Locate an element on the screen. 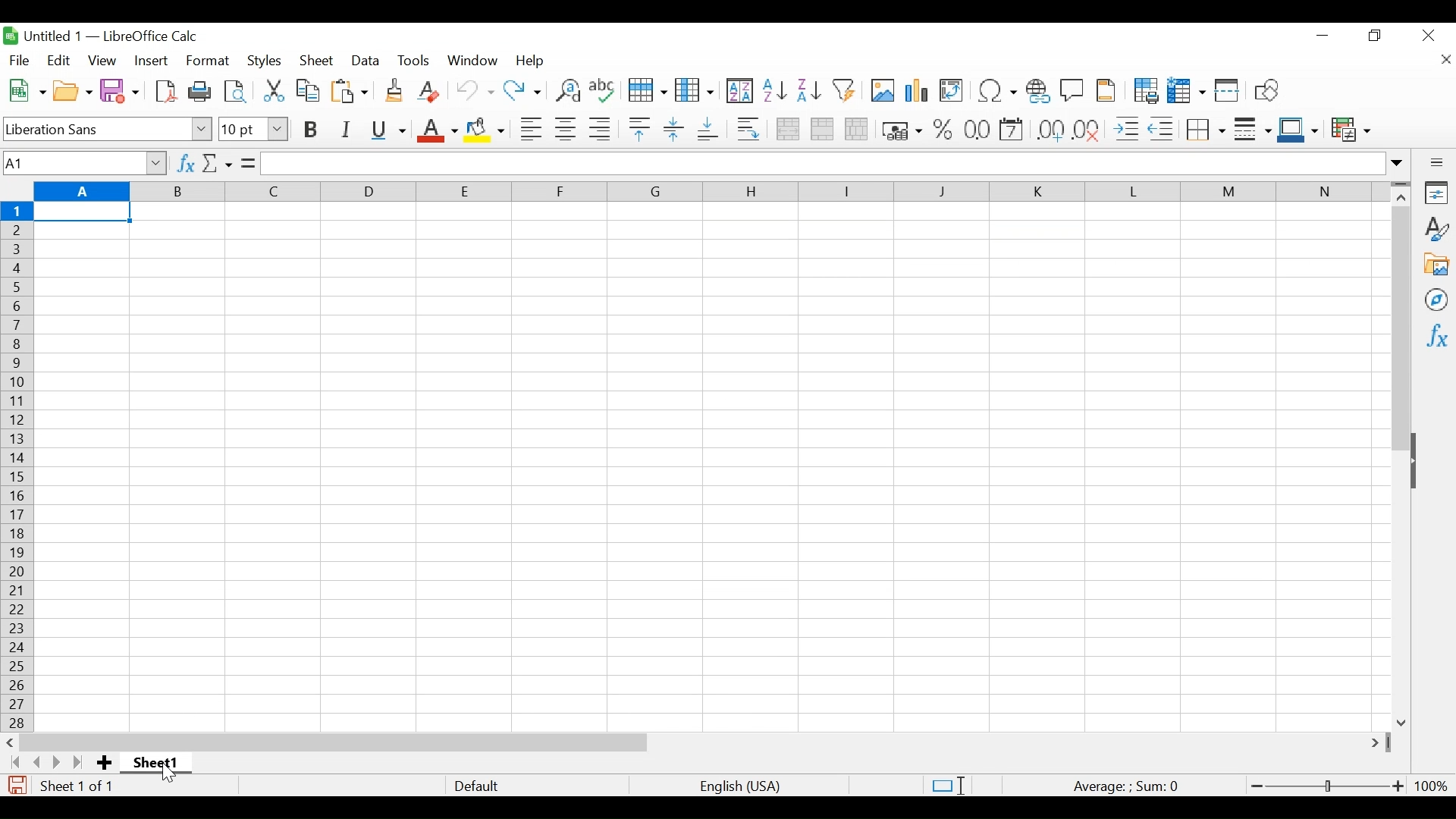  Sheet number is located at coordinates (80, 786).